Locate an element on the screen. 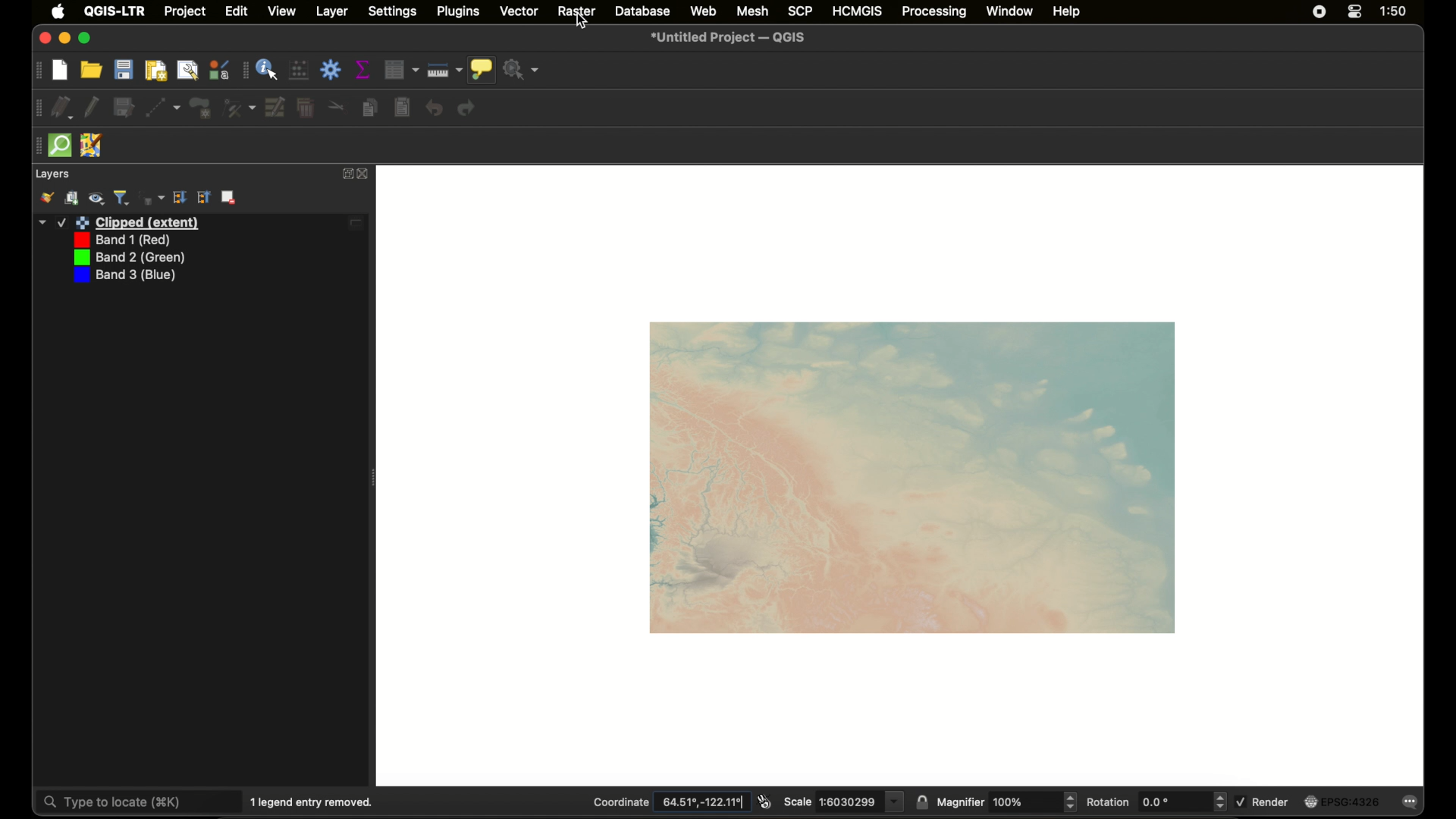 This screenshot has height=819, width=1456. layer is located at coordinates (332, 12).